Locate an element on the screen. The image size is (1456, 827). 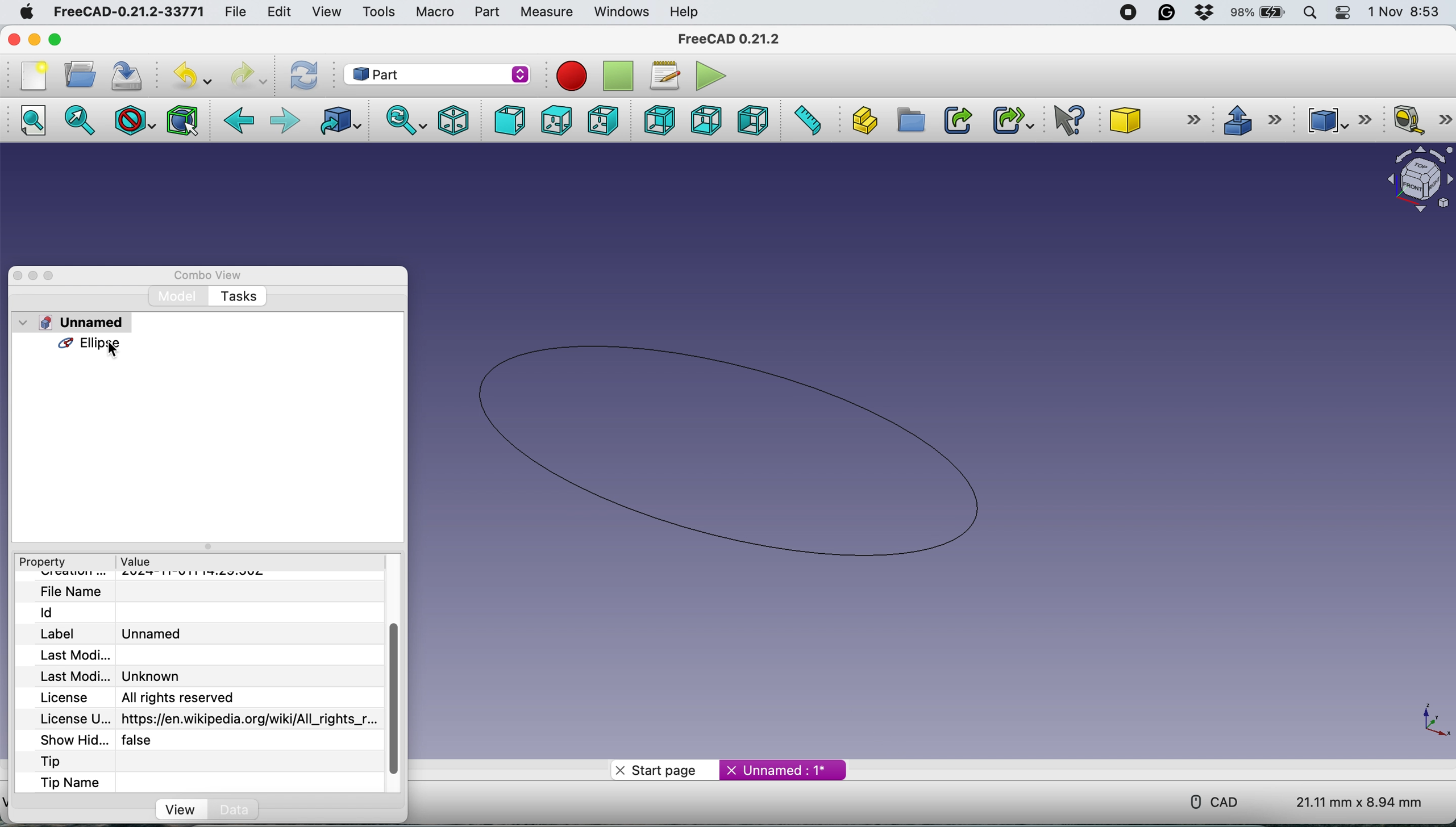
open is located at coordinates (80, 74).